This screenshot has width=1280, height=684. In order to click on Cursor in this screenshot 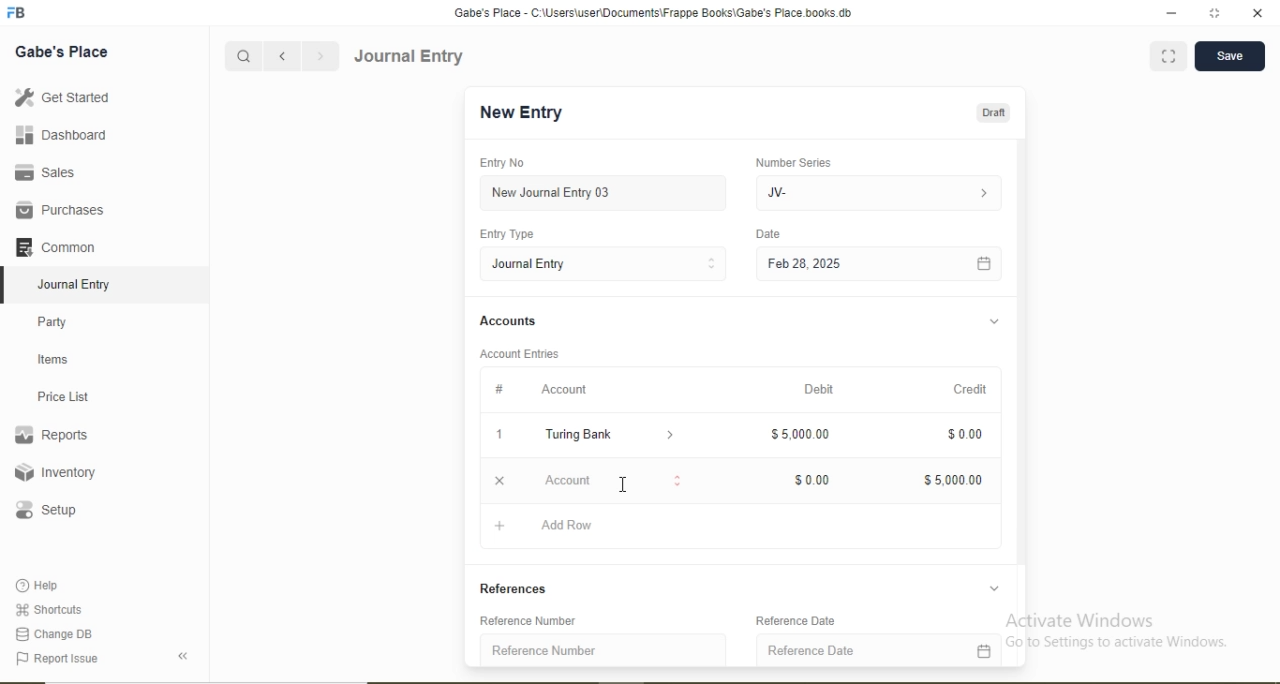, I will do `click(623, 484)`.